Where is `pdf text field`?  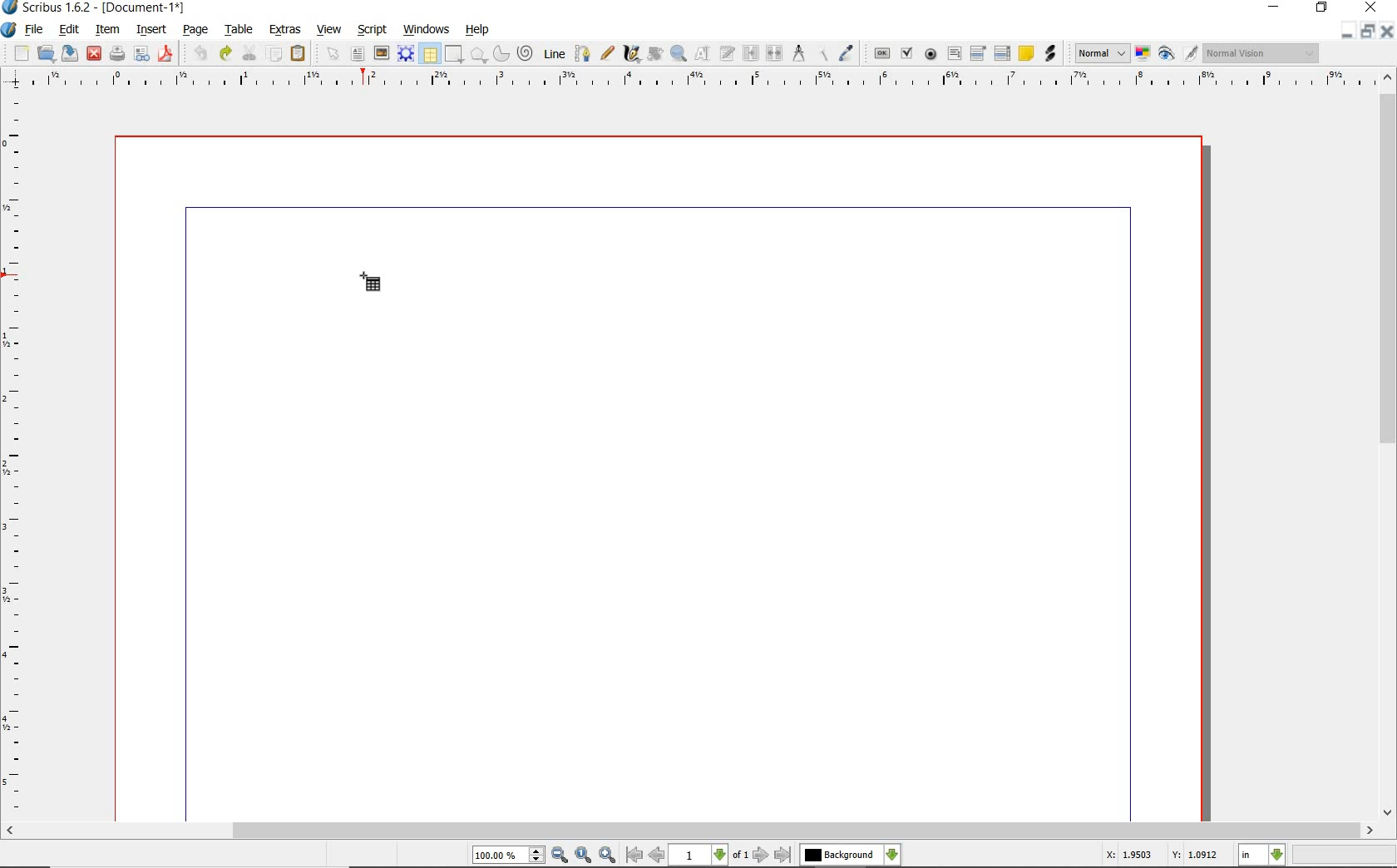
pdf text field is located at coordinates (955, 53).